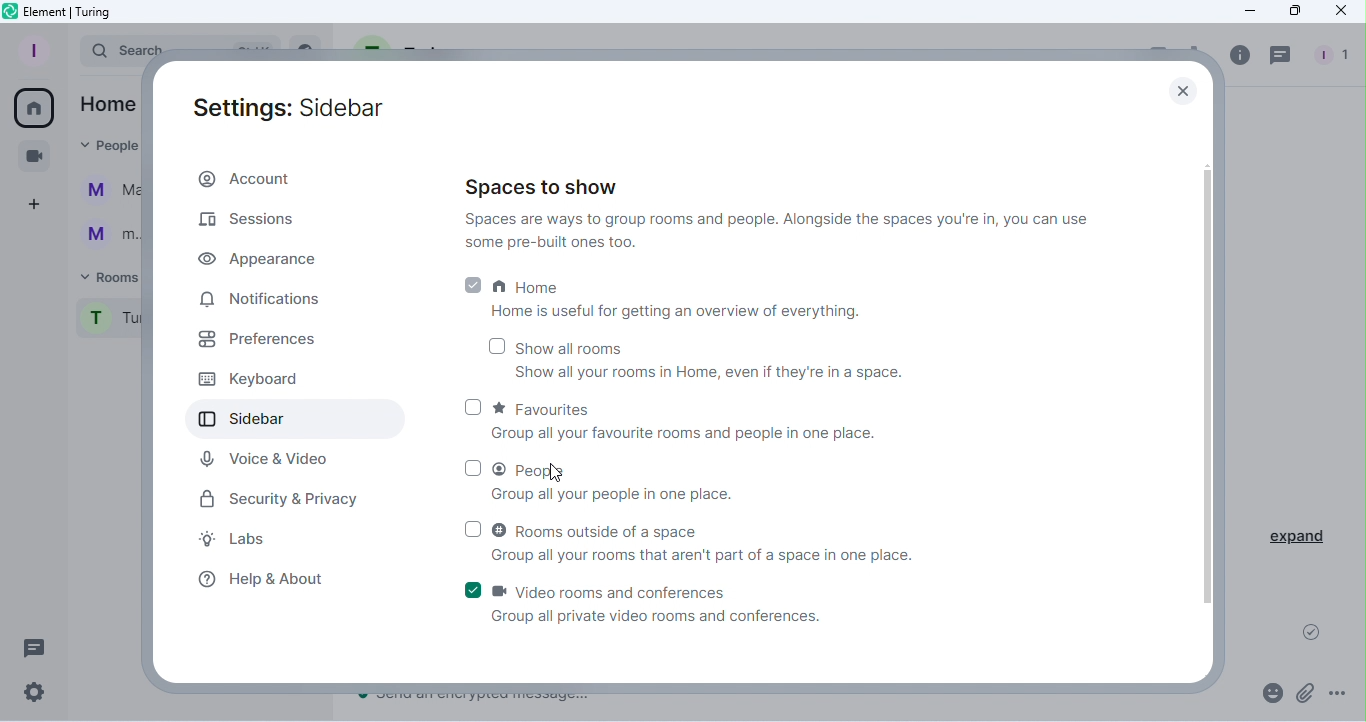 This screenshot has height=722, width=1366. Describe the element at coordinates (251, 179) in the screenshot. I see `Account` at that location.